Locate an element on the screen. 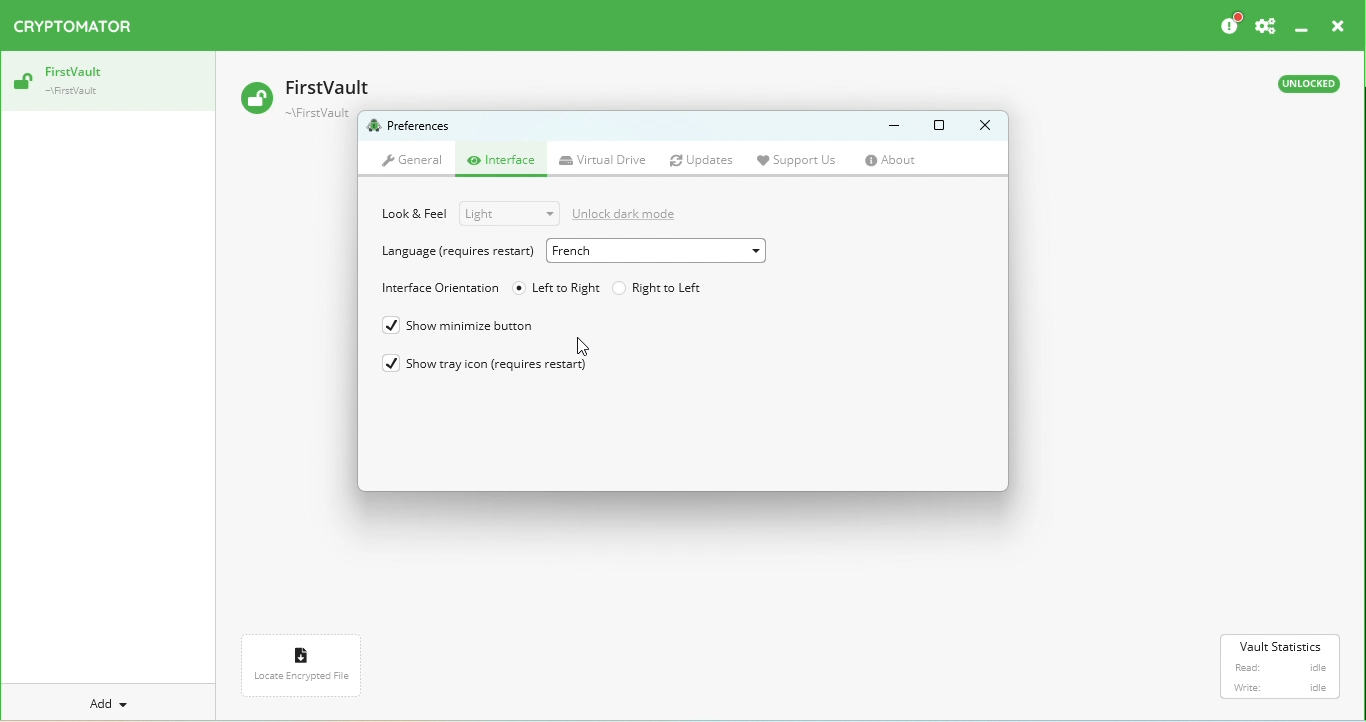  Minimize is located at coordinates (1303, 27).